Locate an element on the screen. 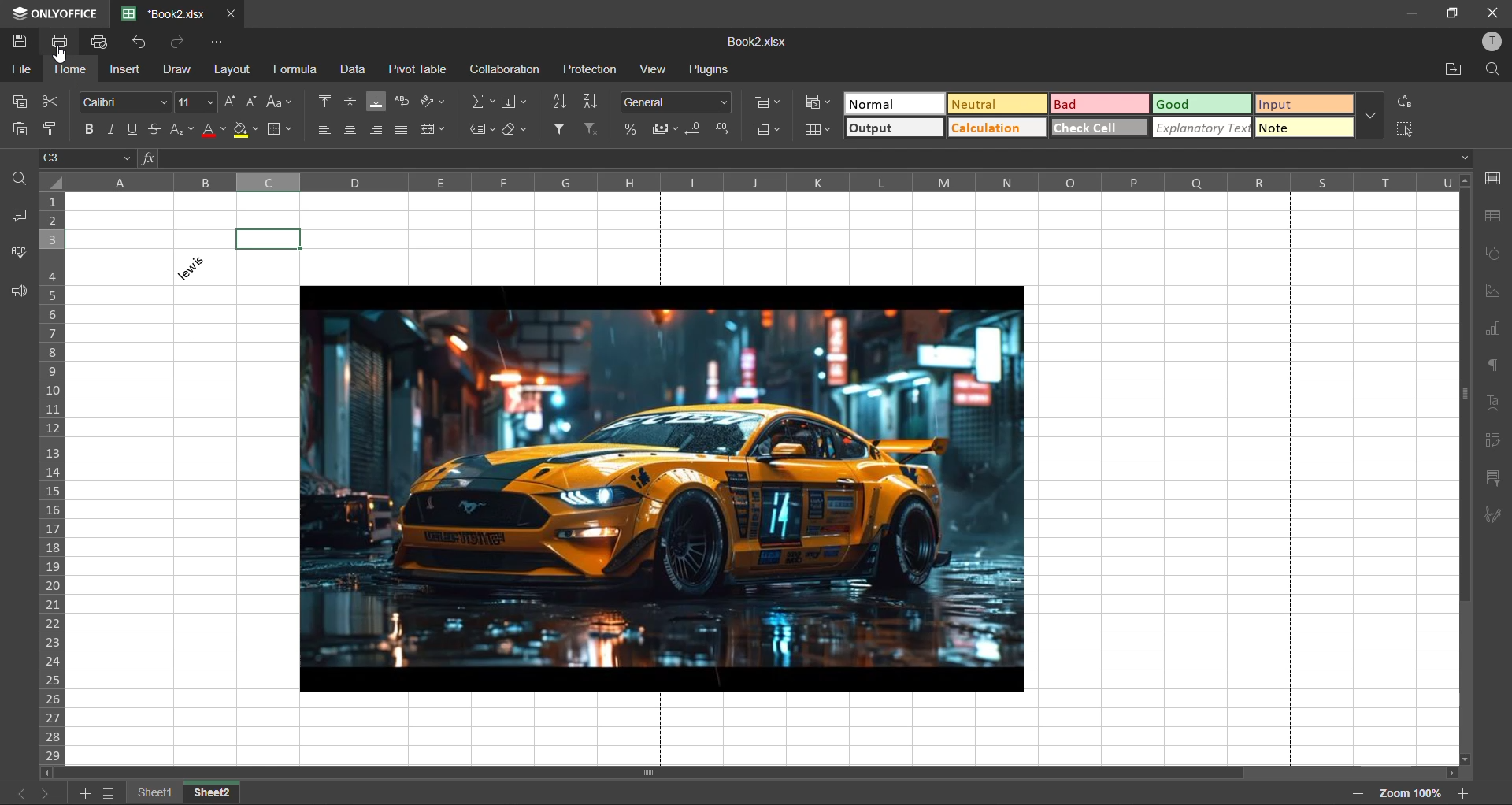 The height and width of the screenshot is (805, 1512). file is located at coordinates (20, 71).